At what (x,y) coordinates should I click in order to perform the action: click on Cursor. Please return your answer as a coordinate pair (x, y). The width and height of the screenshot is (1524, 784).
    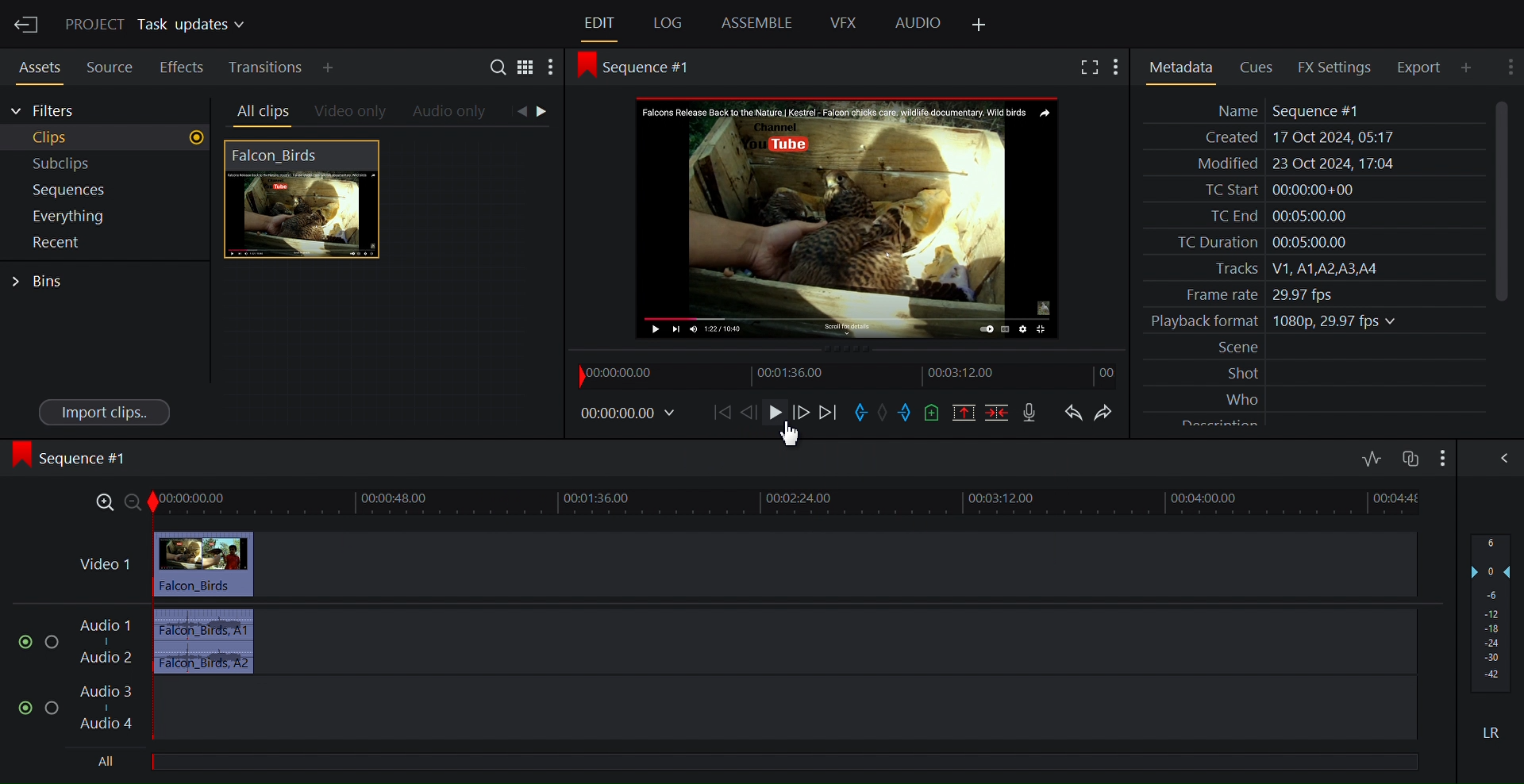
    Looking at the image, I should click on (792, 432).